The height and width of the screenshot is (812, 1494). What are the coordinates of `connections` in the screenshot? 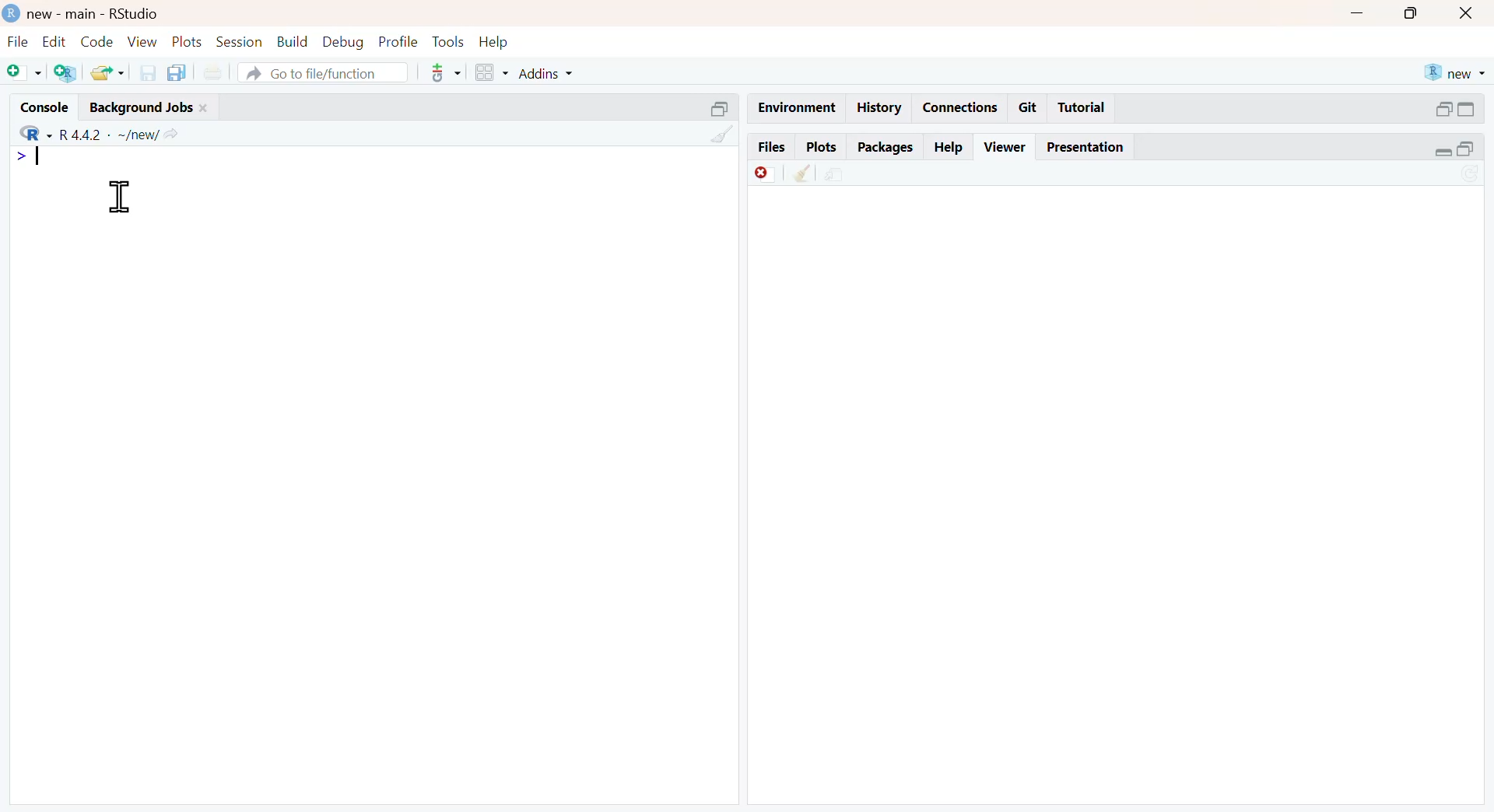 It's located at (961, 107).